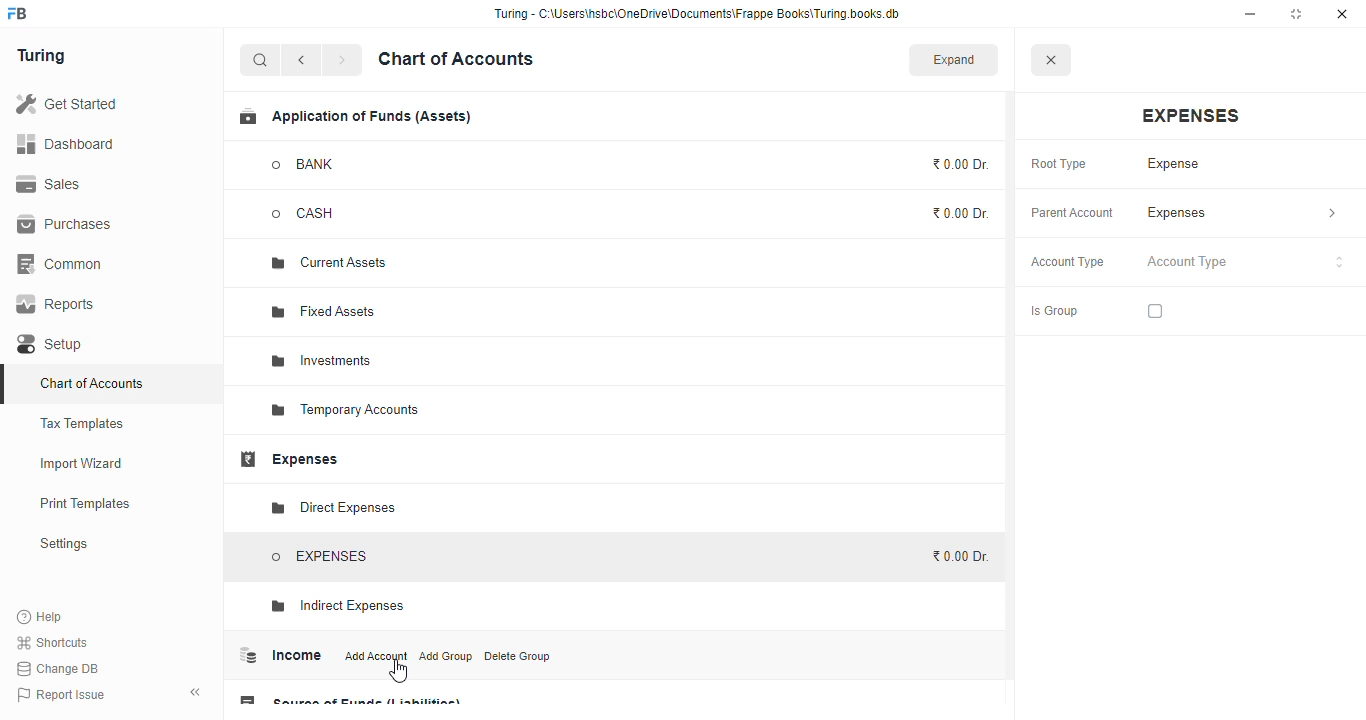 This screenshot has width=1366, height=720. Describe the element at coordinates (961, 164) in the screenshot. I see `₹0.00 Dr.` at that location.